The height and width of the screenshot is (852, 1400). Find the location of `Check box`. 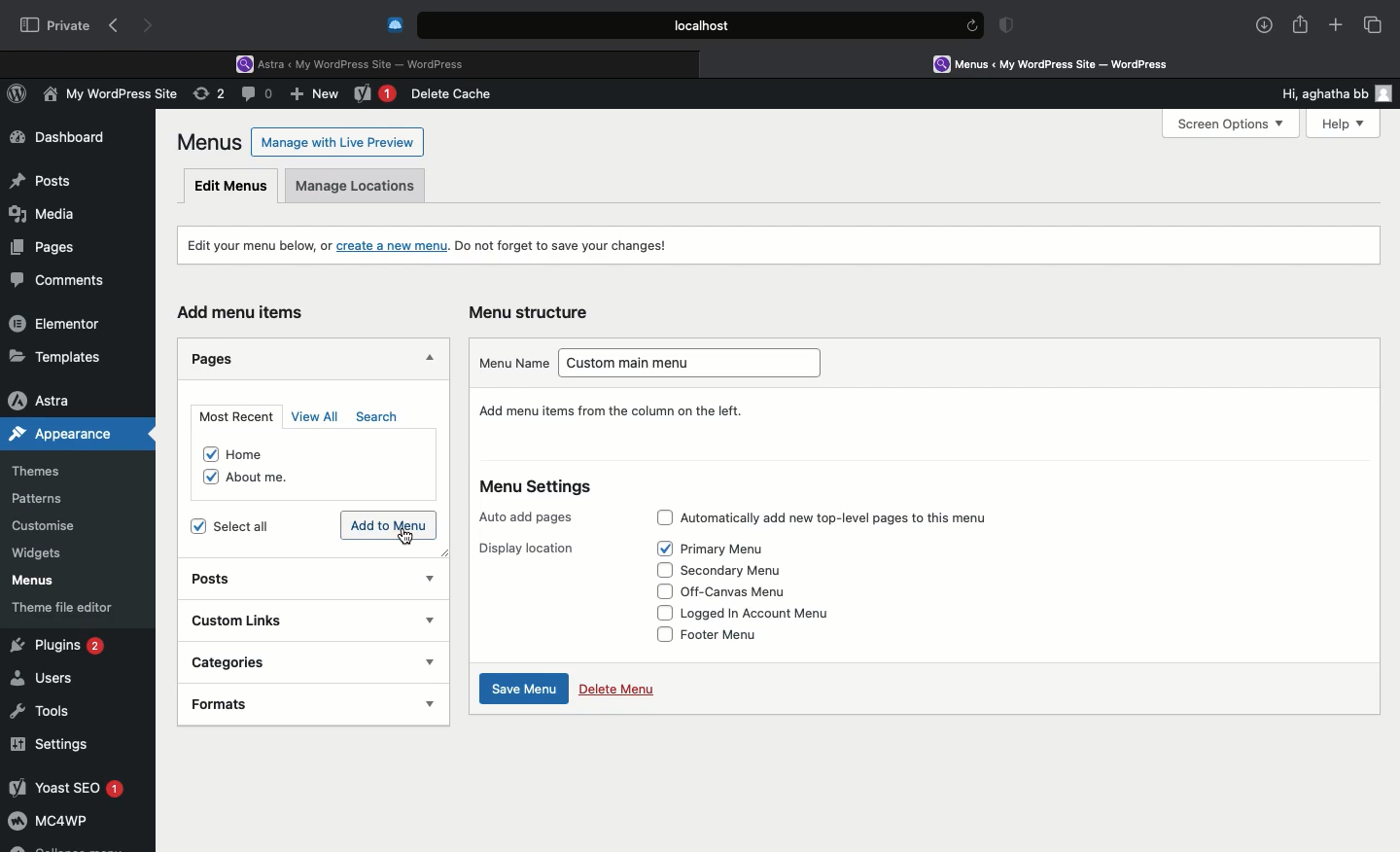

Check box is located at coordinates (662, 549).